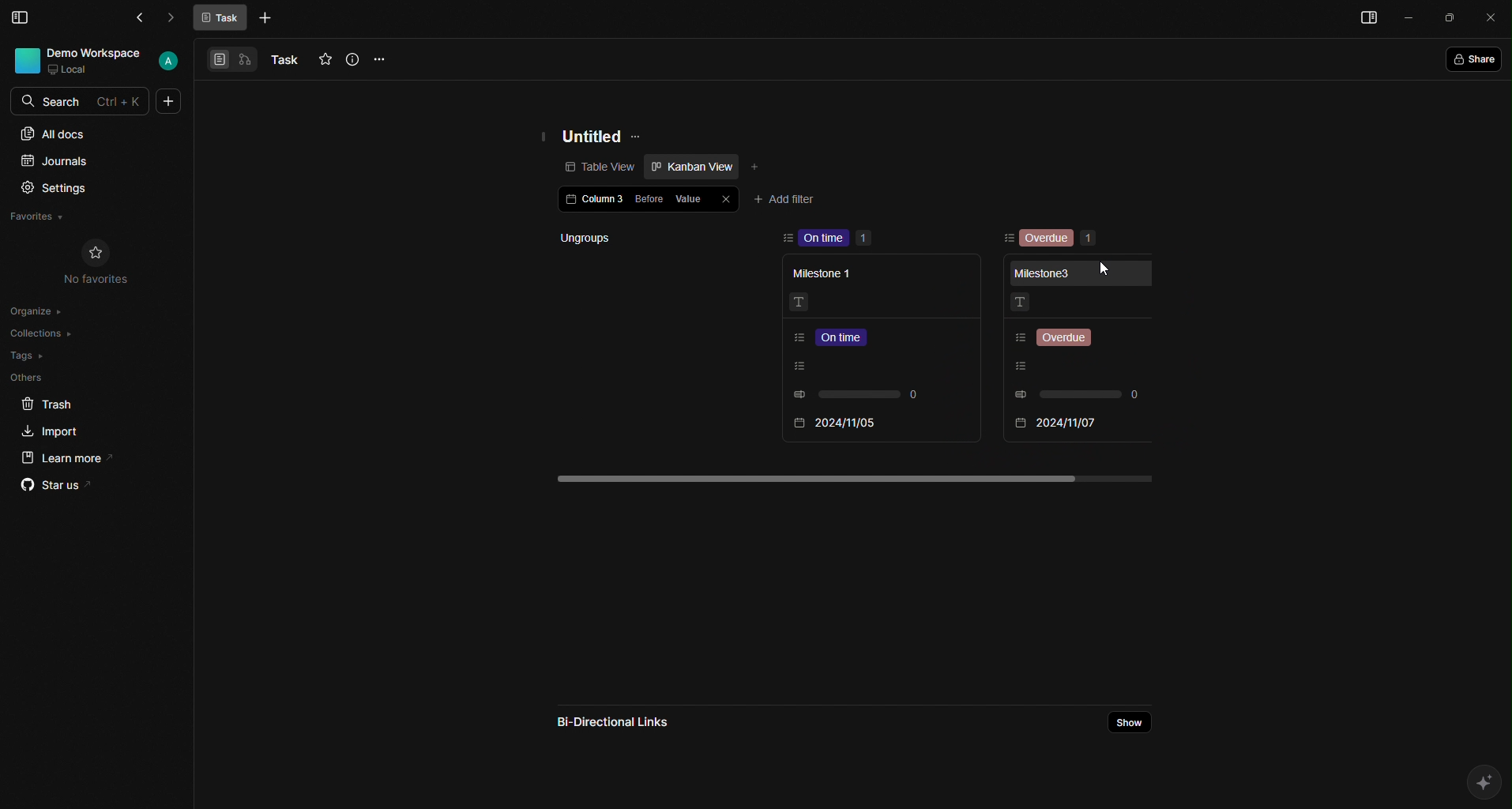 The height and width of the screenshot is (809, 1512). I want to click on Import, so click(51, 431).